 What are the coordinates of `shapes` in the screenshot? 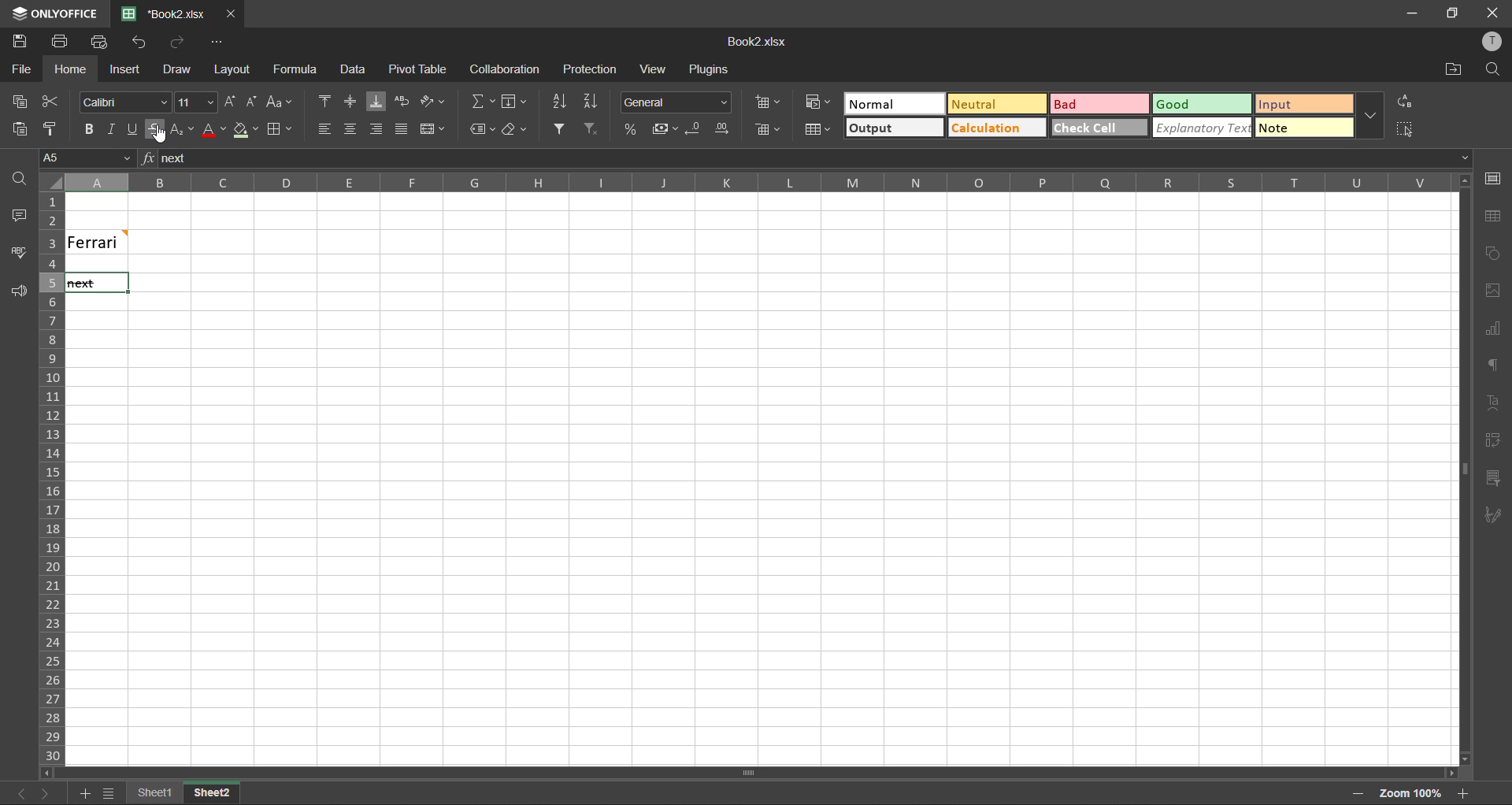 It's located at (1494, 254).